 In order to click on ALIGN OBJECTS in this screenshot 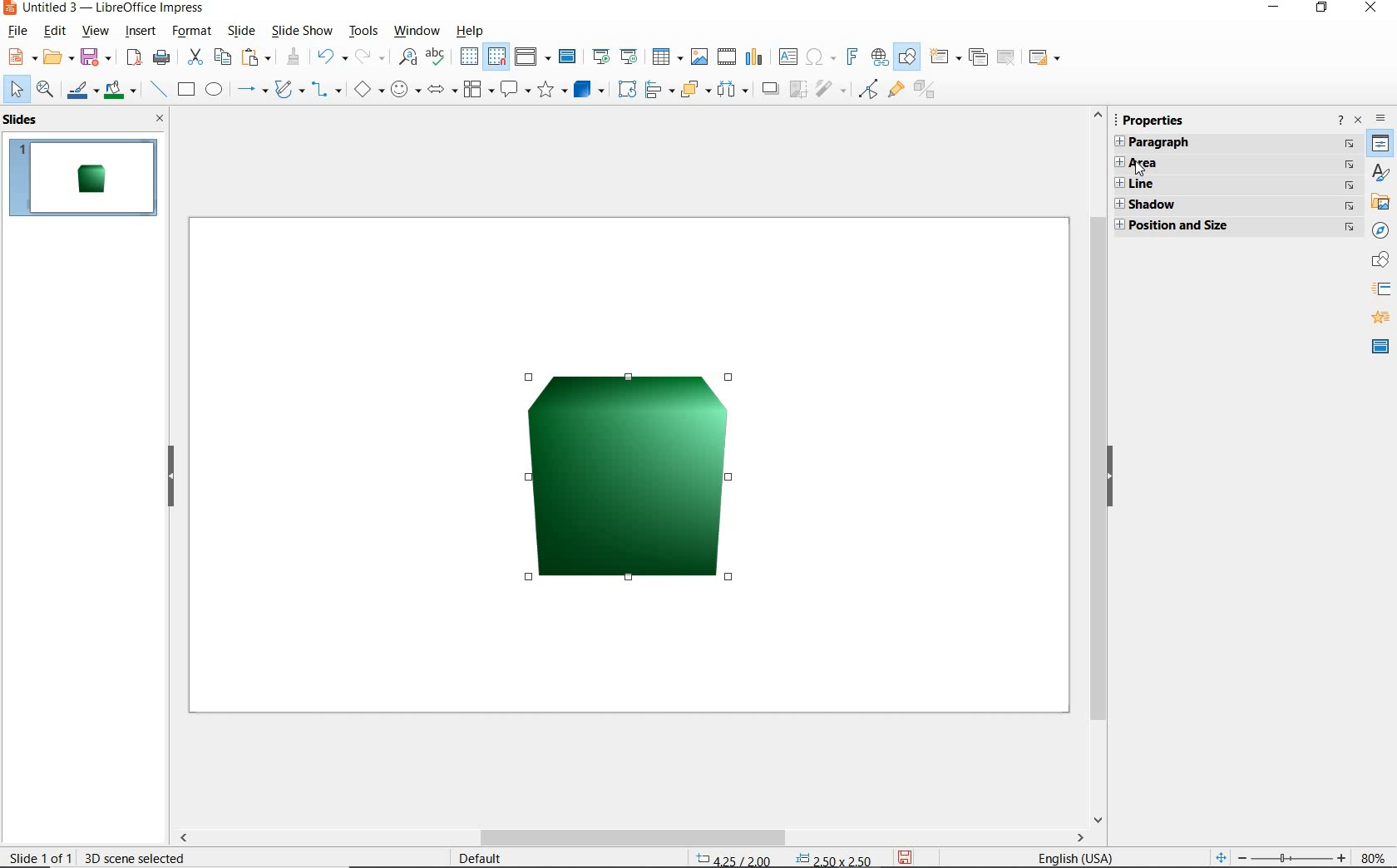, I will do `click(659, 91)`.